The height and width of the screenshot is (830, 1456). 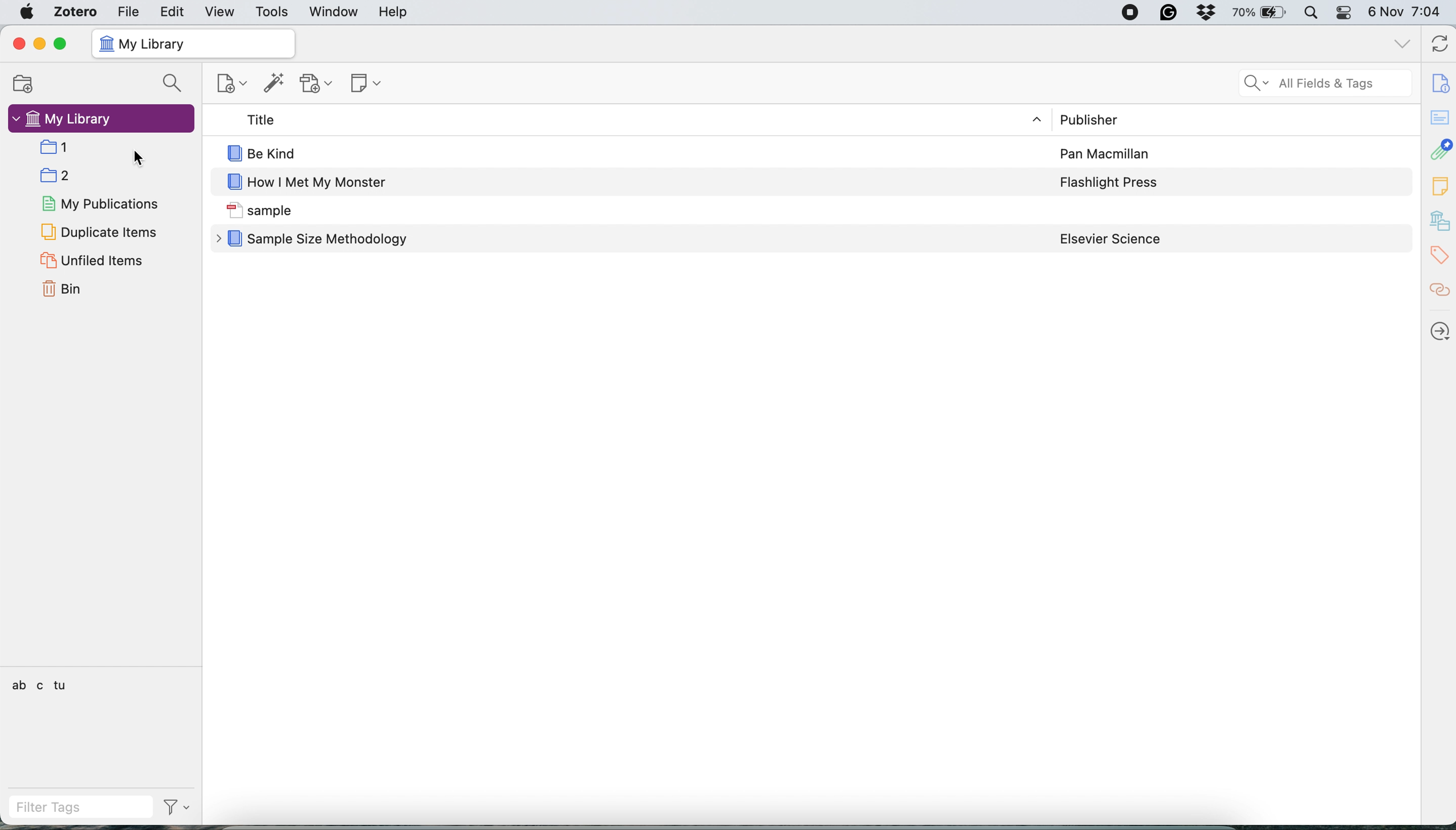 What do you see at coordinates (233, 153) in the screenshot?
I see `icon` at bounding box center [233, 153].